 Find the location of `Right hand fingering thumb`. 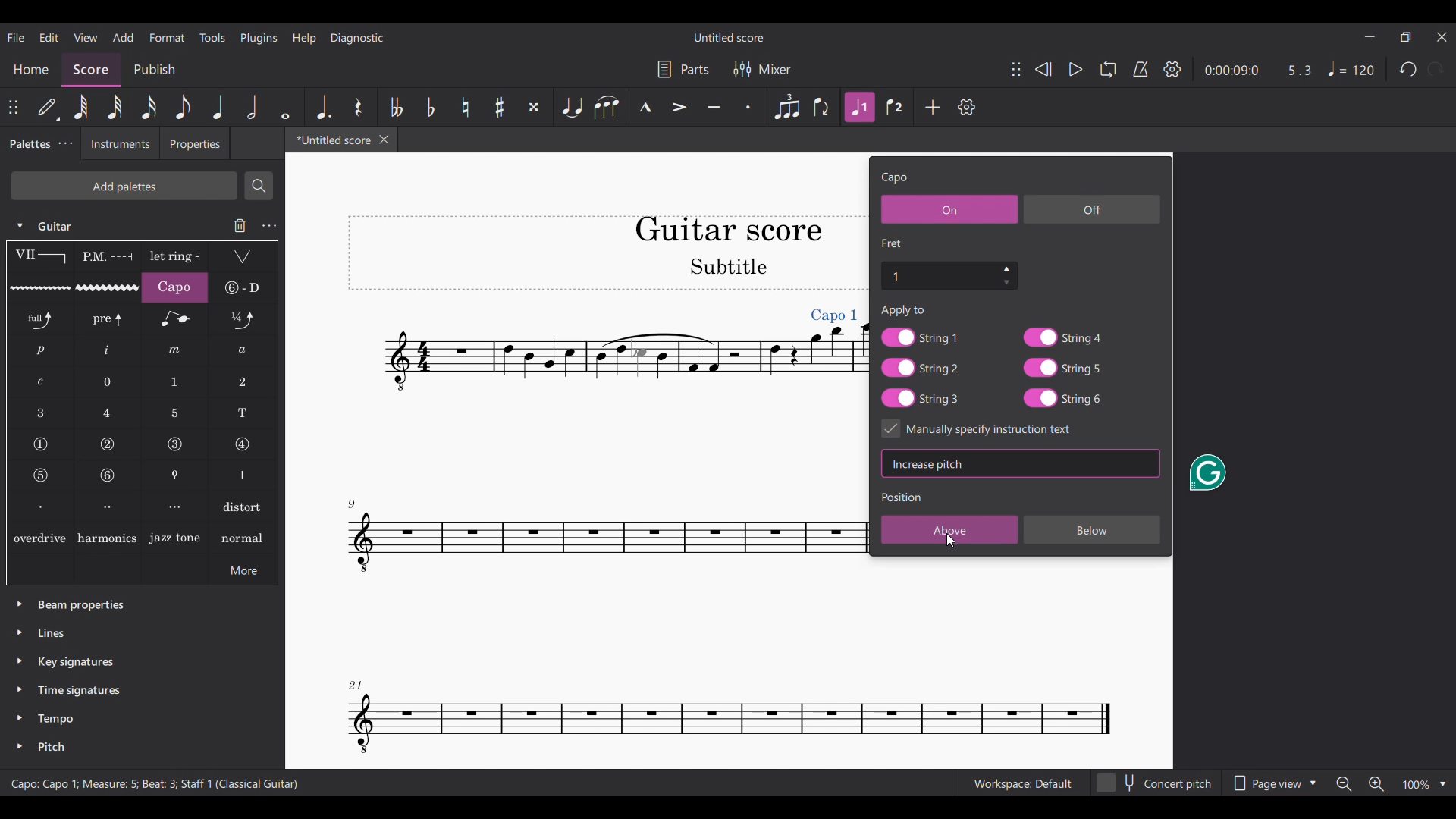

Right hand fingering thumb is located at coordinates (243, 475).